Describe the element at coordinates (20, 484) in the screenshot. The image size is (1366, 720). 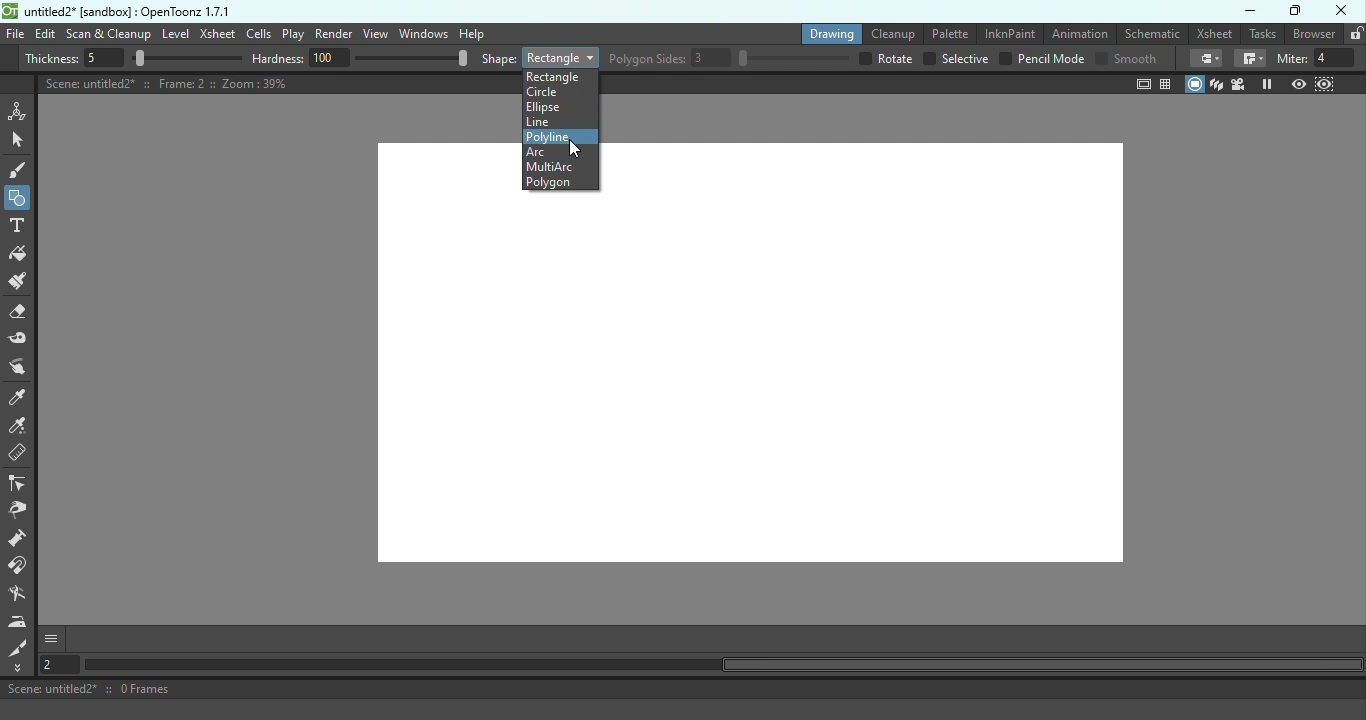
I see `Control point editor tool` at that location.